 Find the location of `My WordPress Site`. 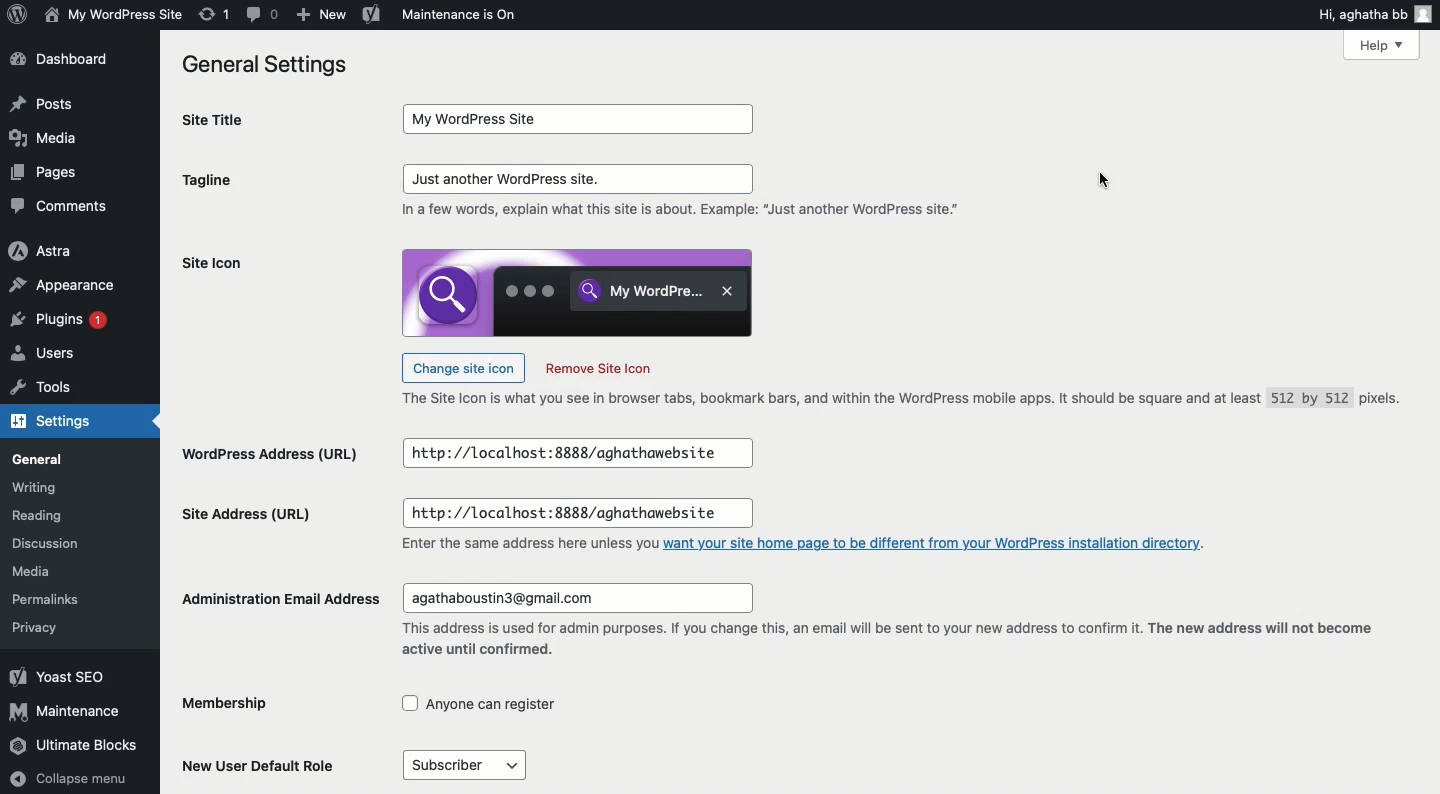

My WordPress Site is located at coordinates (111, 14).